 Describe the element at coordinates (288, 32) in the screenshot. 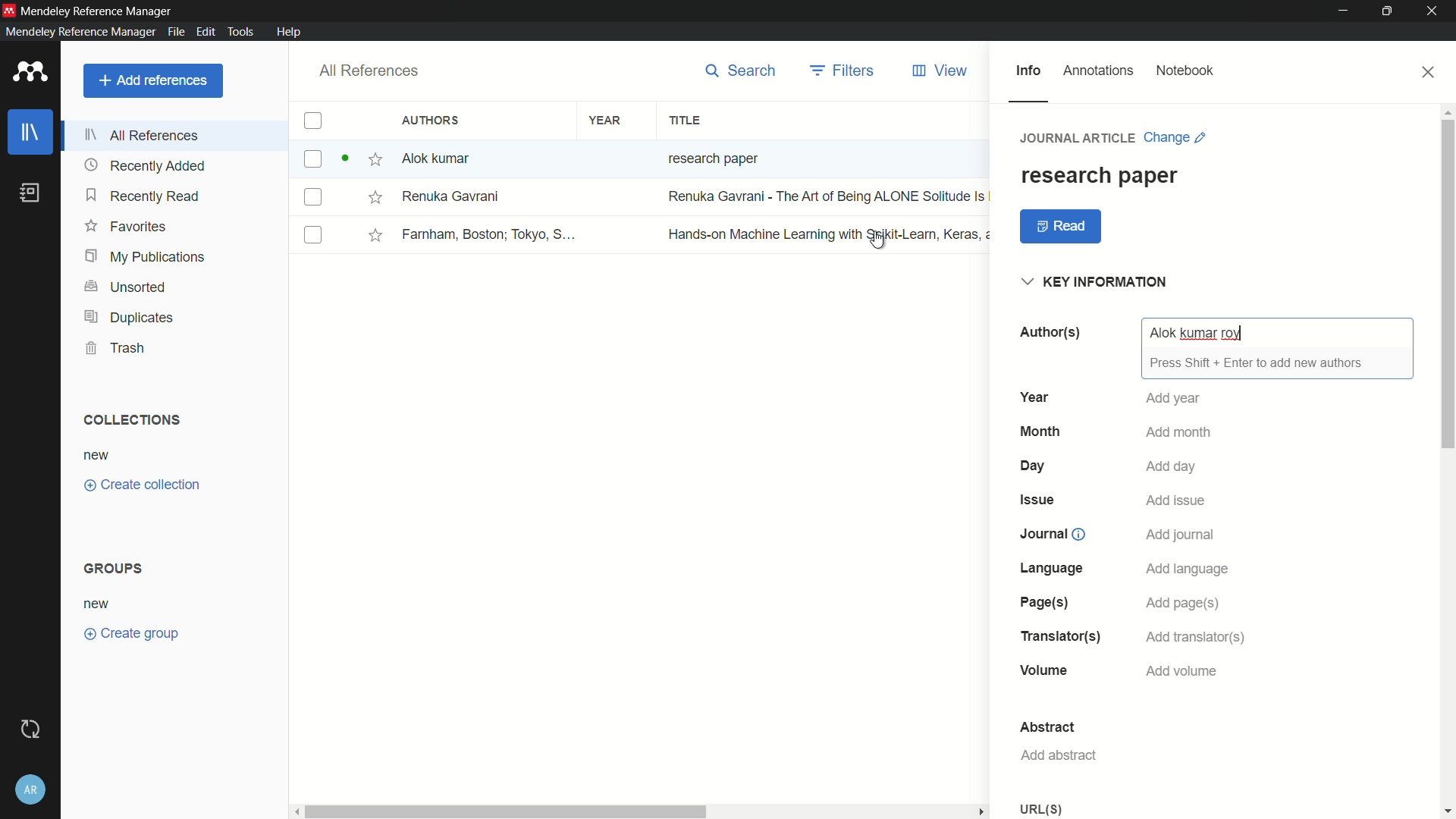

I see `help menu` at that location.